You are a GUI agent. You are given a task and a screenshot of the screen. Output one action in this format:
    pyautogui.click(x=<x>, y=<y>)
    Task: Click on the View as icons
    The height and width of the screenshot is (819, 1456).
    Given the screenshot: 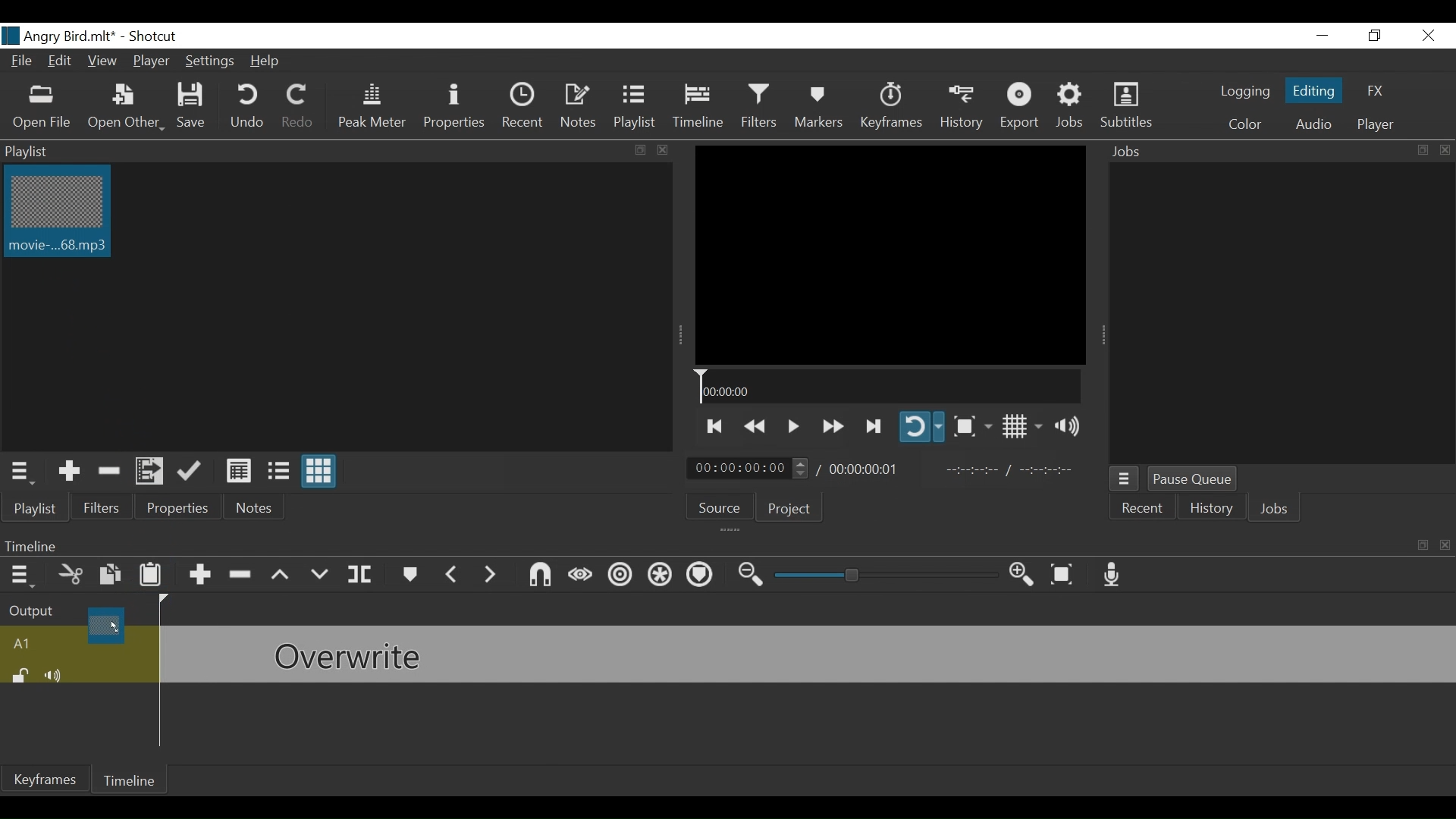 What is the action you would take?
    pyautogui.click(x=318, y=471)
    